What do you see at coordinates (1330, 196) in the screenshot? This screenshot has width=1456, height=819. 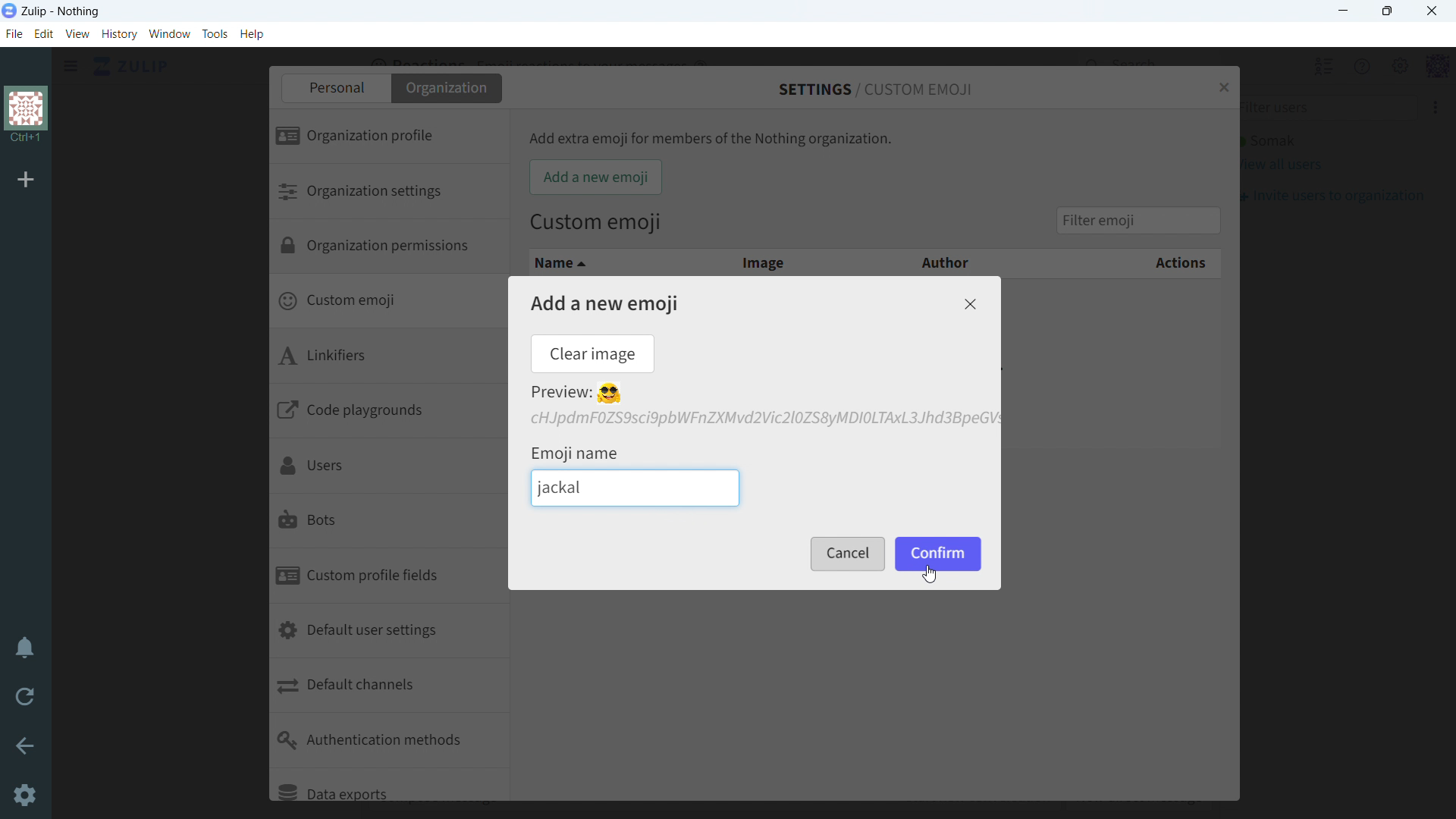 I see `invite users` at bounding box center [1330, 196].